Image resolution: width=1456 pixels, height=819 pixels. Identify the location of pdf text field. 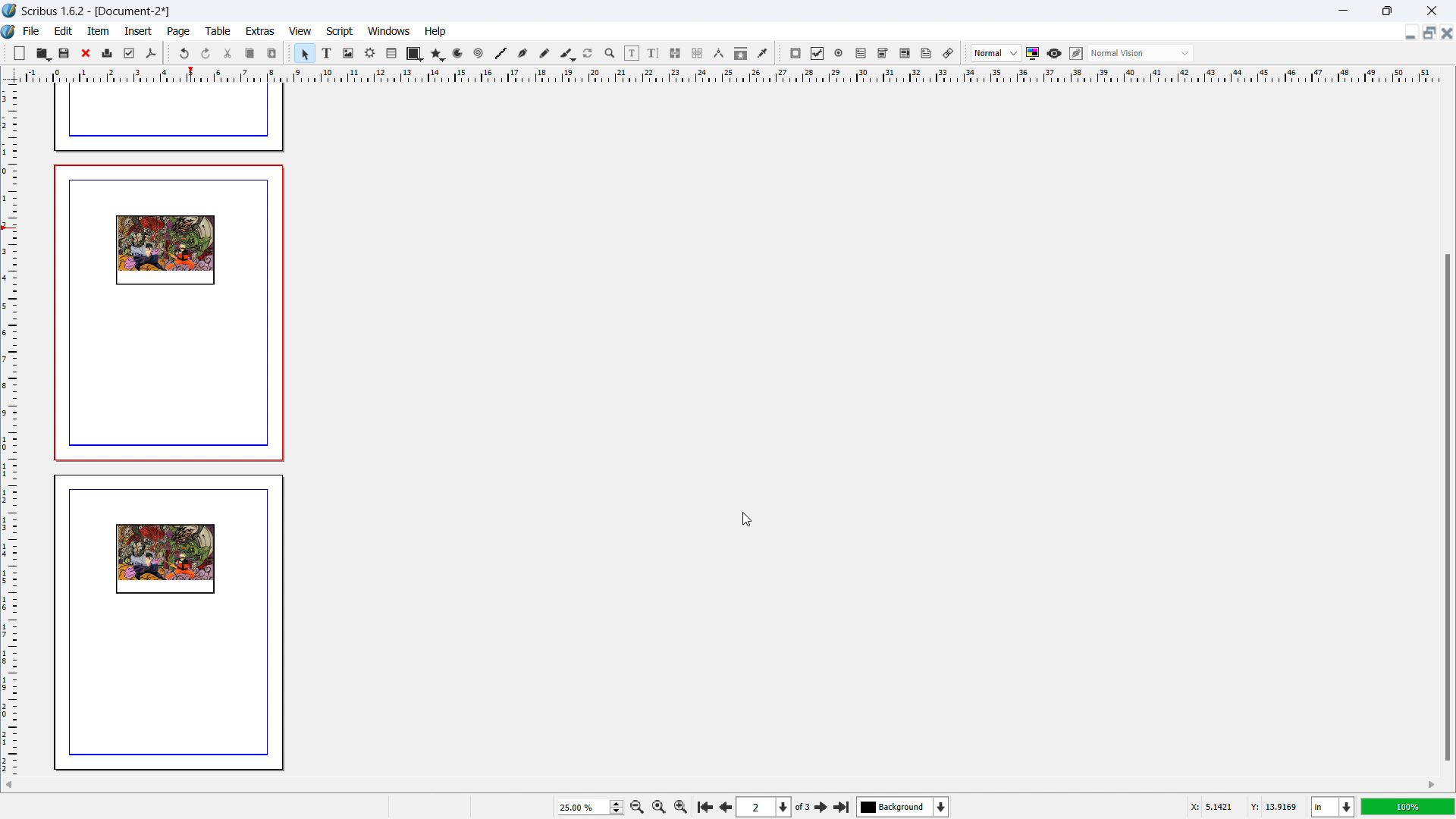
(861, 54).